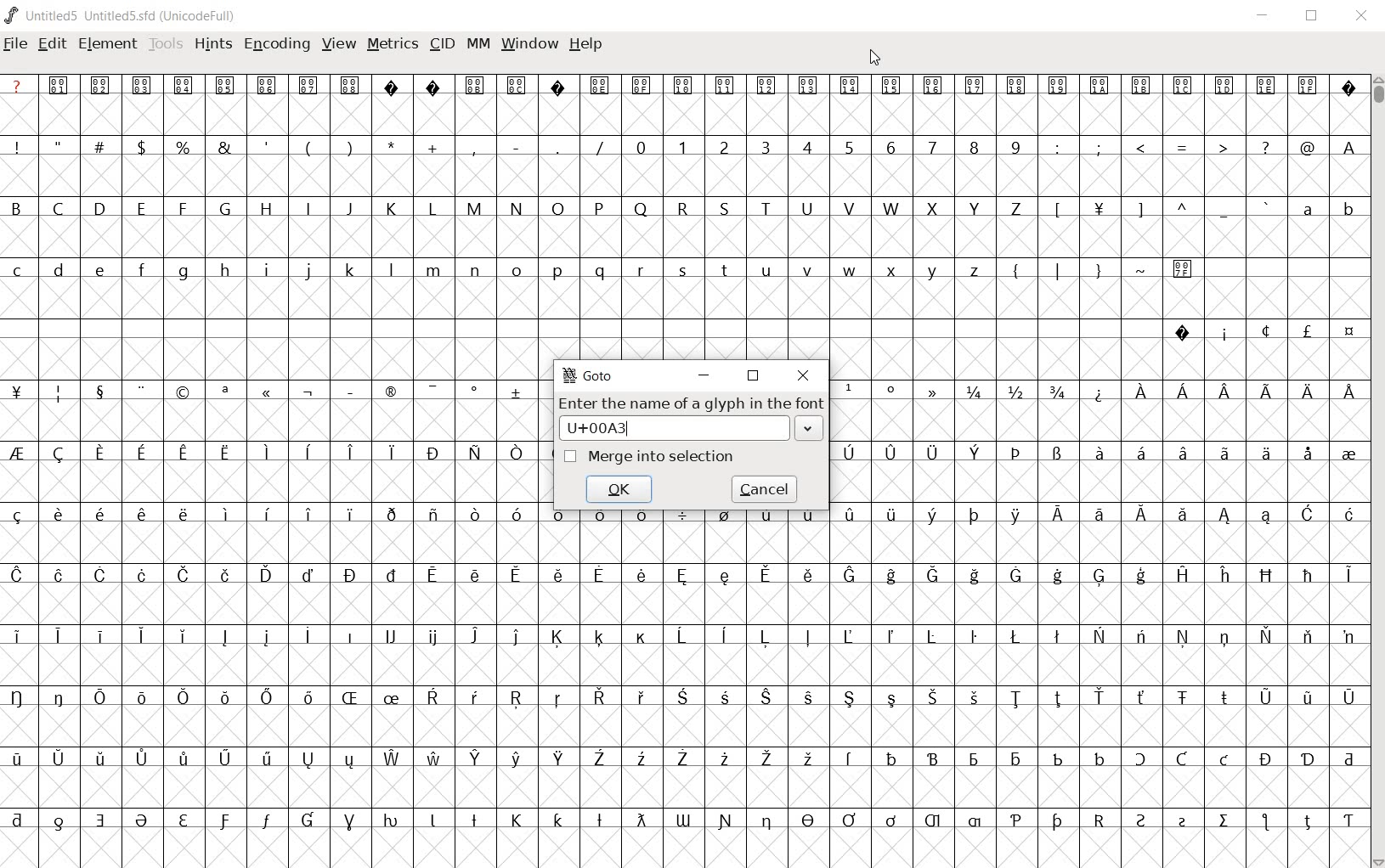 Image resolution: width=1385 pixels, height=868 pixels. What do you see at coordinates (640, 268) in the screenshot?
I see `r` at bounding box center [640, 268].